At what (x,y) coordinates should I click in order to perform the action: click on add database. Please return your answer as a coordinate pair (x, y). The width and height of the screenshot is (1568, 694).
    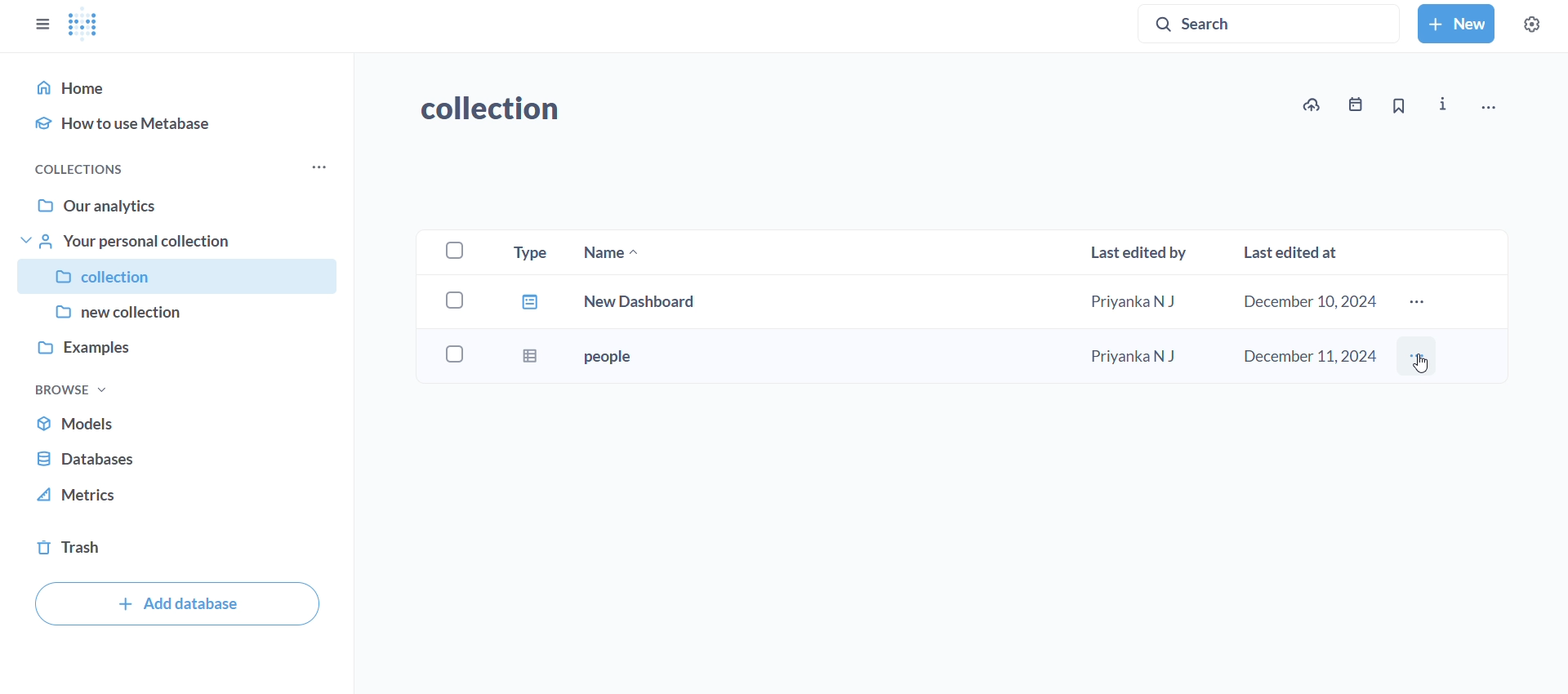
    Looking at the image, I should click on (177, 604).